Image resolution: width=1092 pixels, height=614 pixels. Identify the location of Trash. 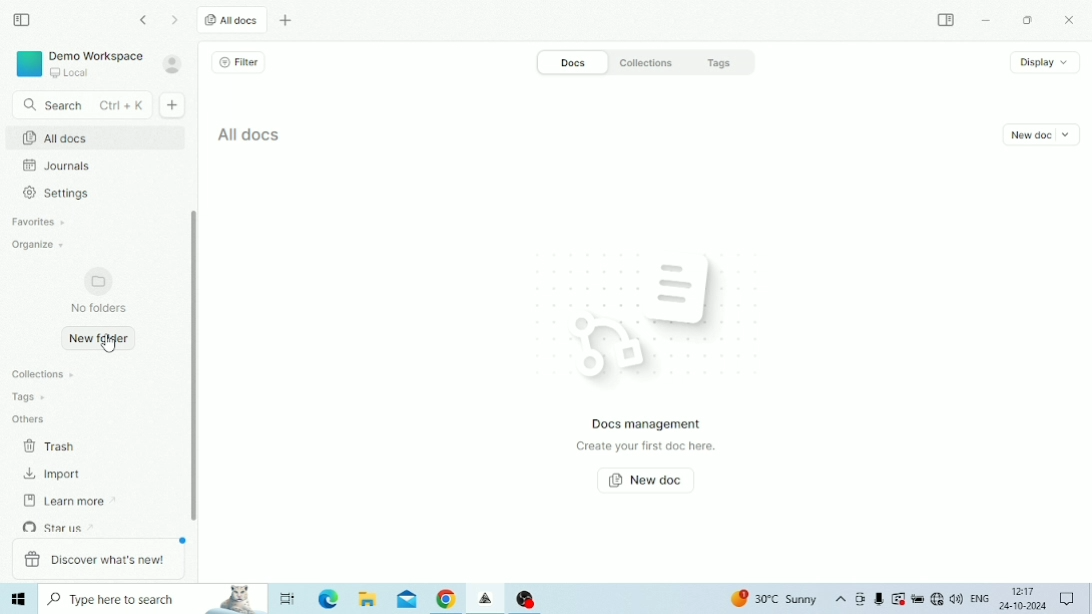
(51, 446).